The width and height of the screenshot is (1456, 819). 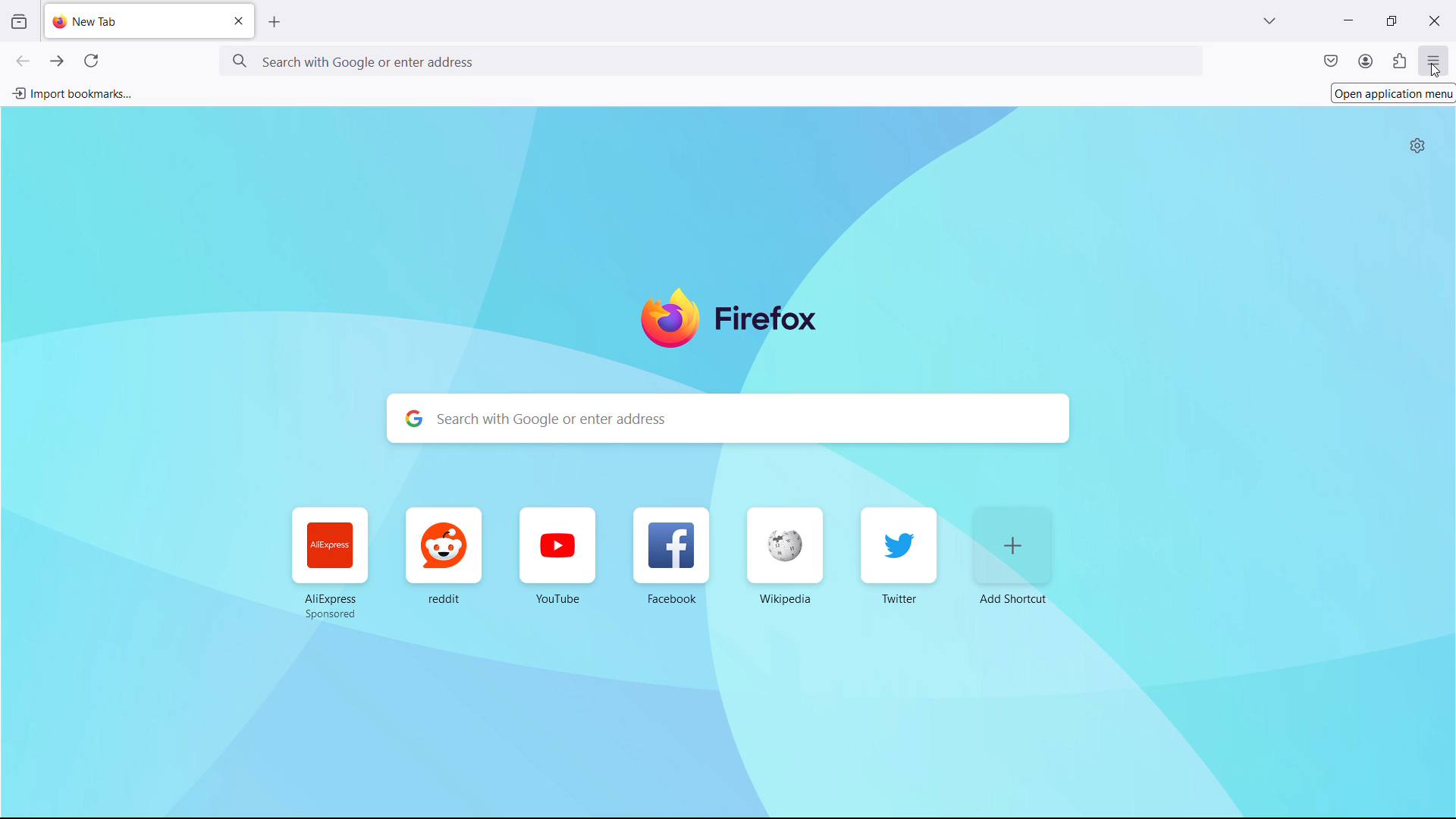 I want to click on personalize new tab, so click(x=1415, y=146).